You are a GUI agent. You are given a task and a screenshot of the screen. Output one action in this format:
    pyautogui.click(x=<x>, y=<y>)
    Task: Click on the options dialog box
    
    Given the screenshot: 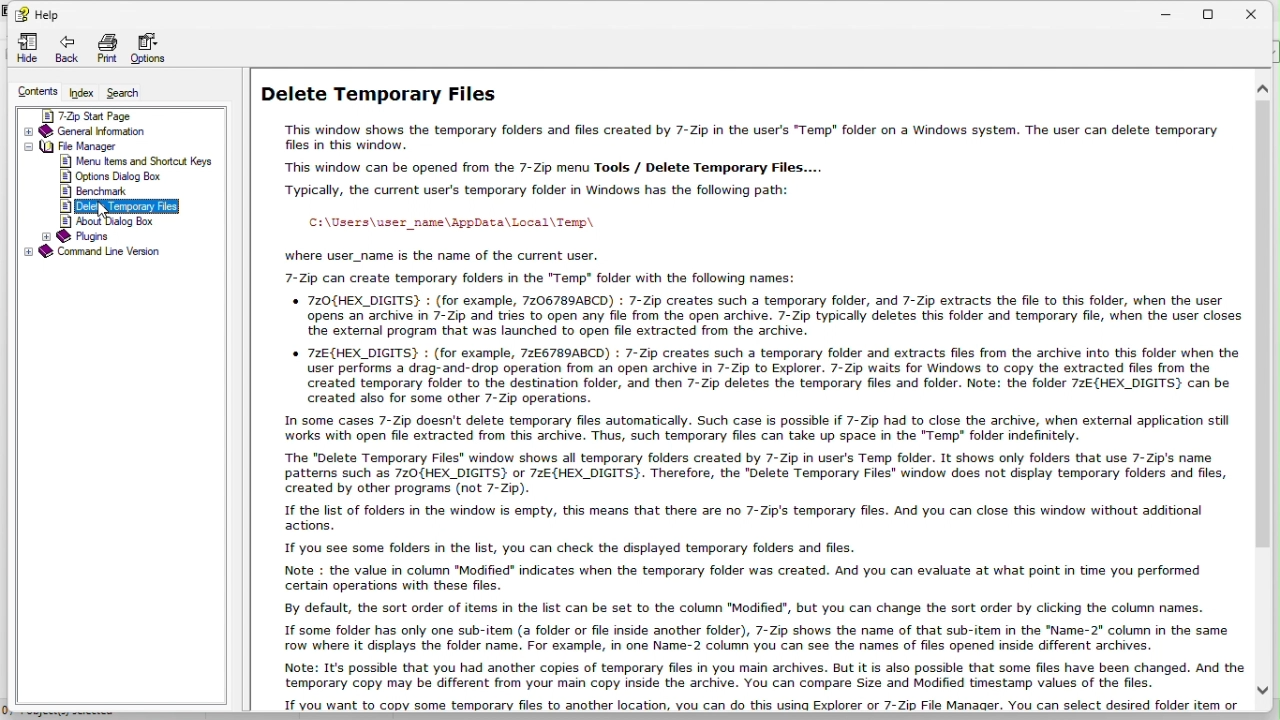 What is the action you would take?
    pyautogui.click(x=111, y=176)
    